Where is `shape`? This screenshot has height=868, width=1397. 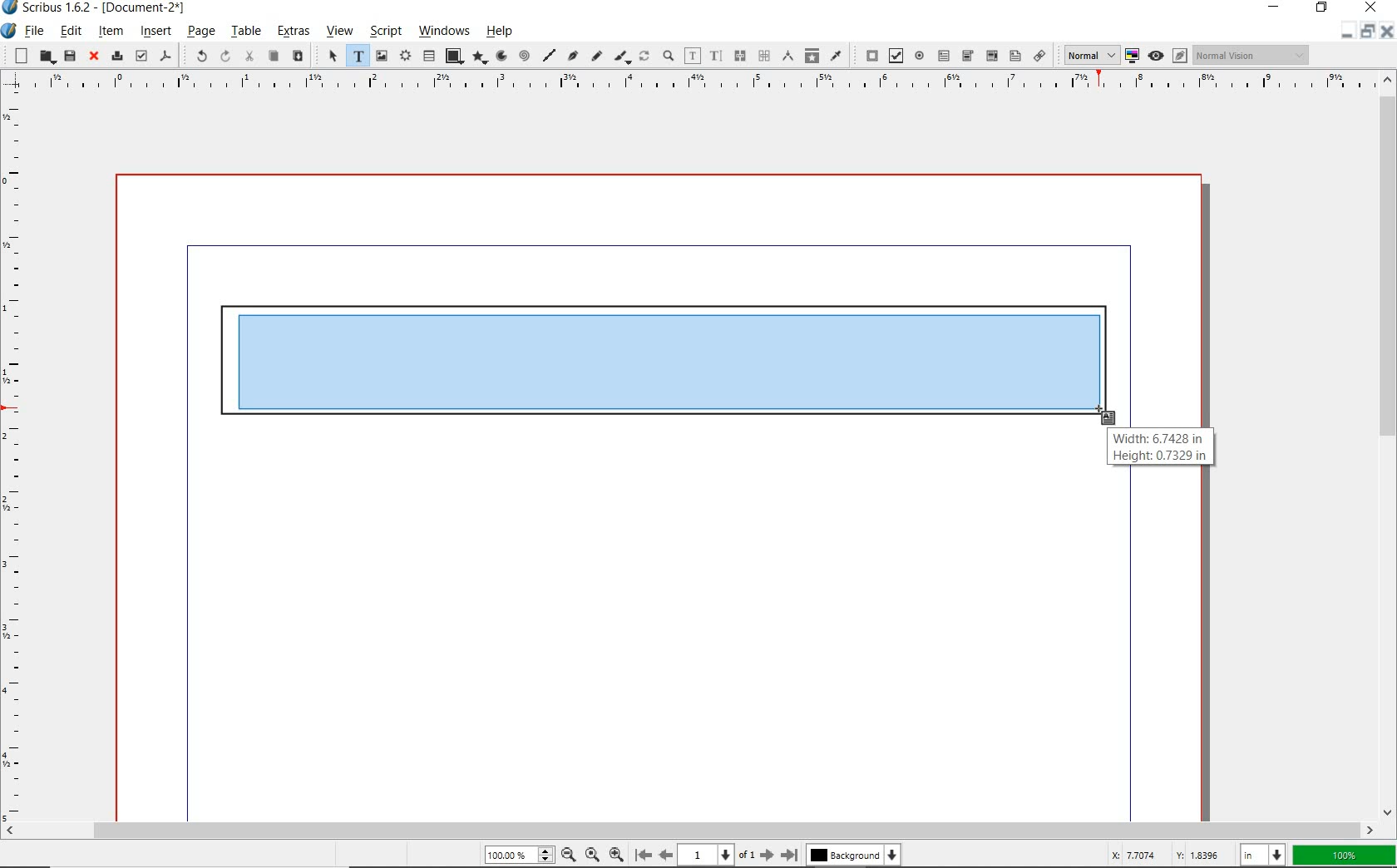
shape is located at coordinates (454, 57).